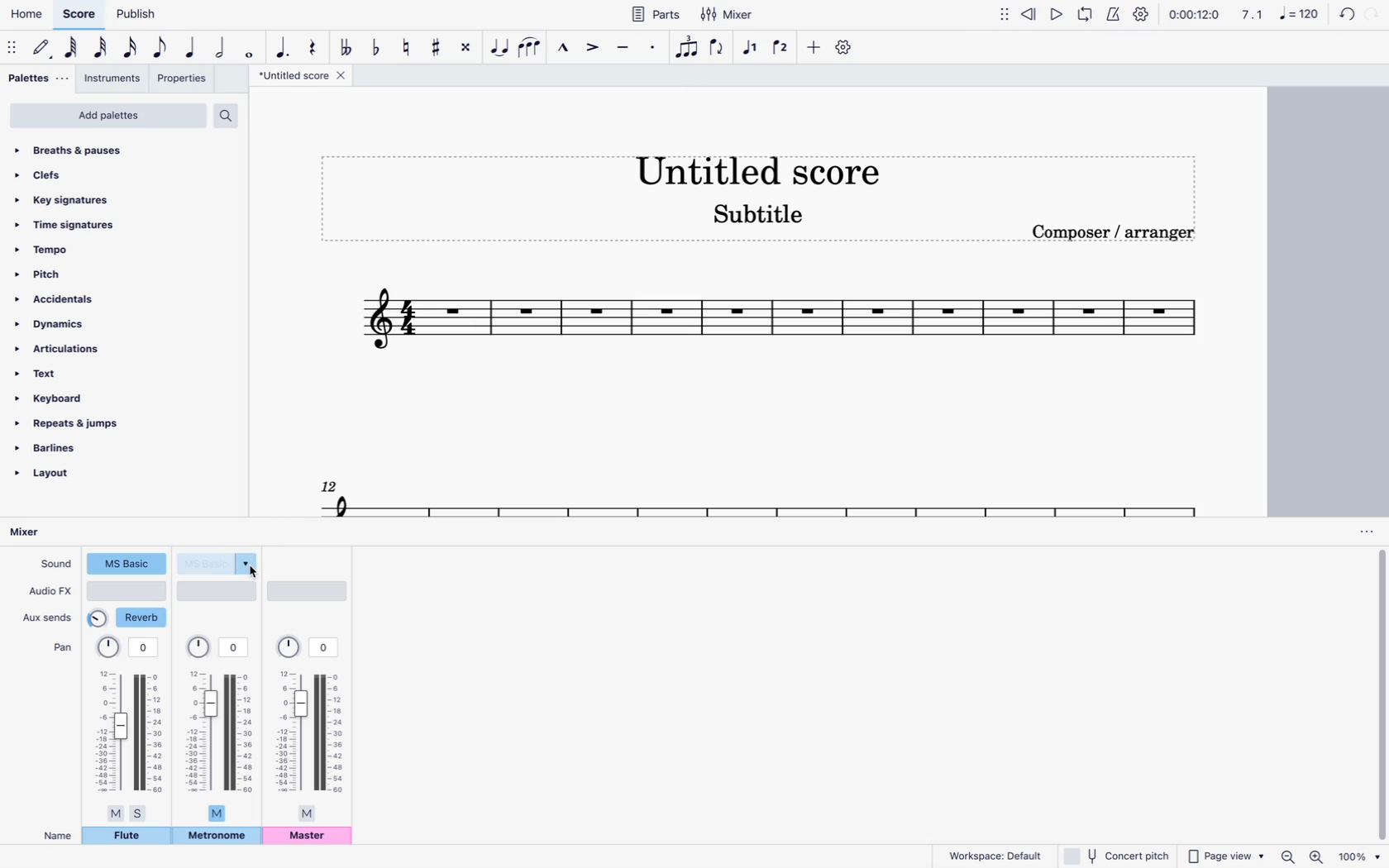 This screenshot has width=1389, height=868. What do you see at coordinates (36, 79) in the screenshot?
I see `palettes` at bounding box center [36, 79].